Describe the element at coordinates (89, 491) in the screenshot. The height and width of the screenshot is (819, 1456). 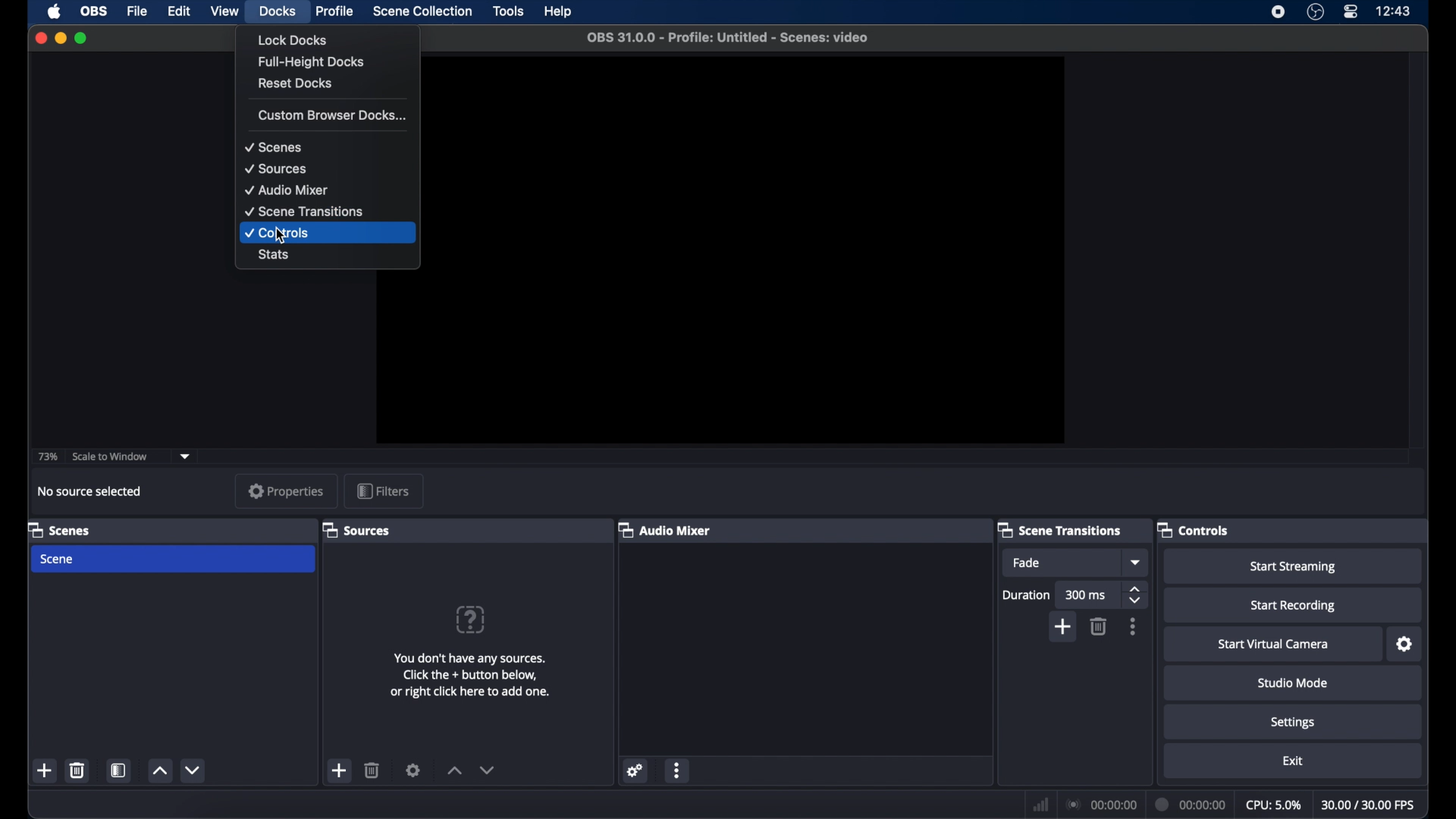
I see `no source selected` at that location.